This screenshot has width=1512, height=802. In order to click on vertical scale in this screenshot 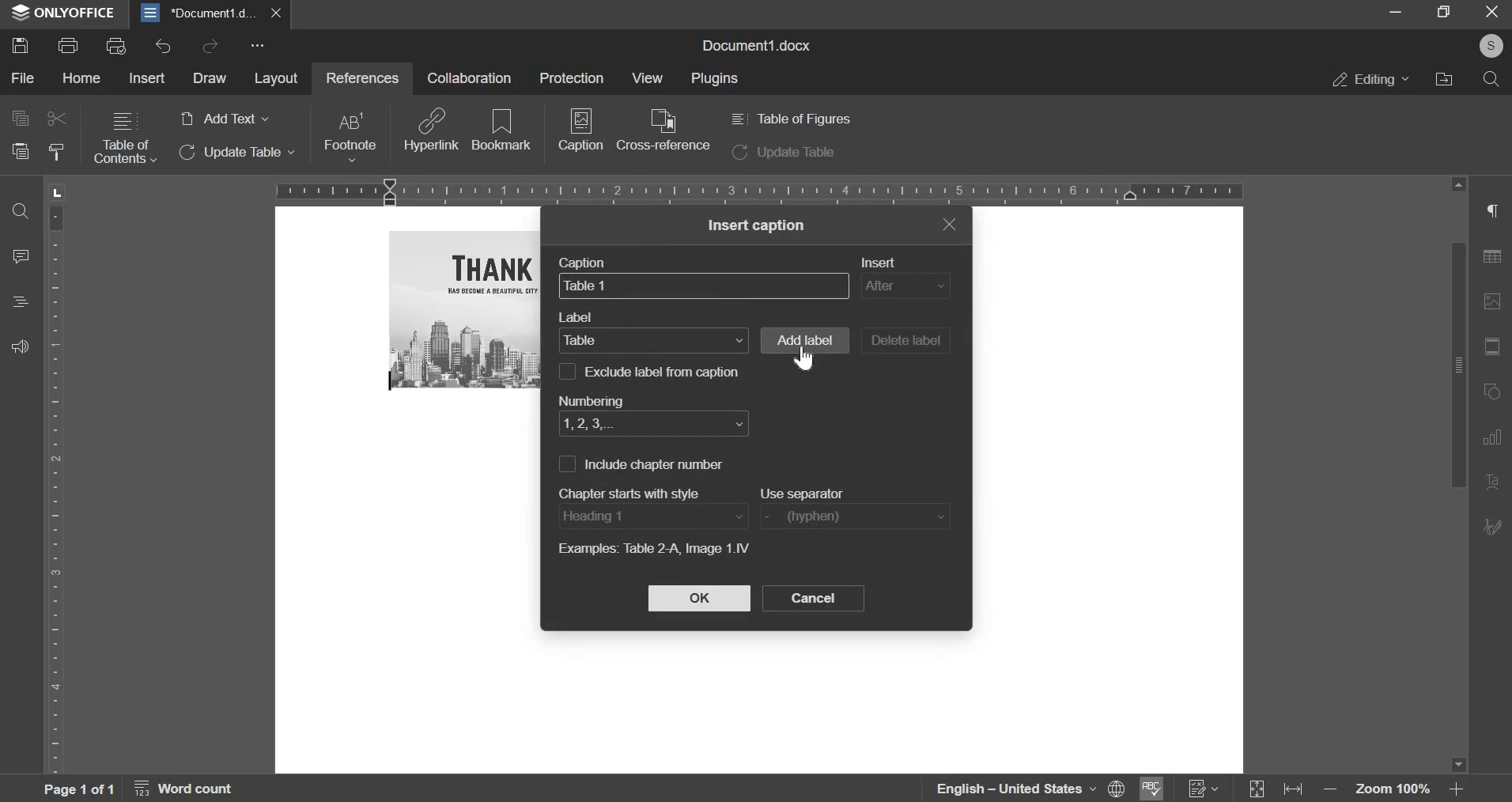, I will do `click(57, 487)`.